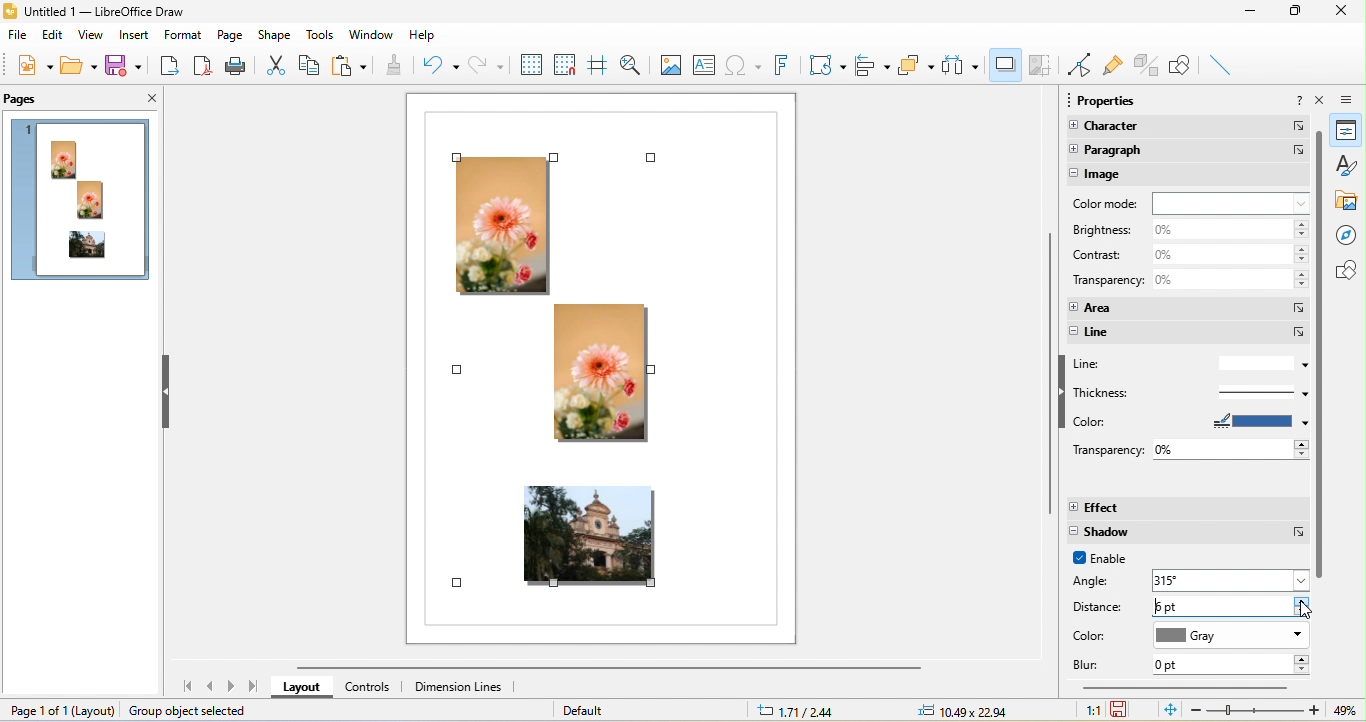 The height and width of the screenshot is (722, 1366). I want to click on next page, so click(233, 687).